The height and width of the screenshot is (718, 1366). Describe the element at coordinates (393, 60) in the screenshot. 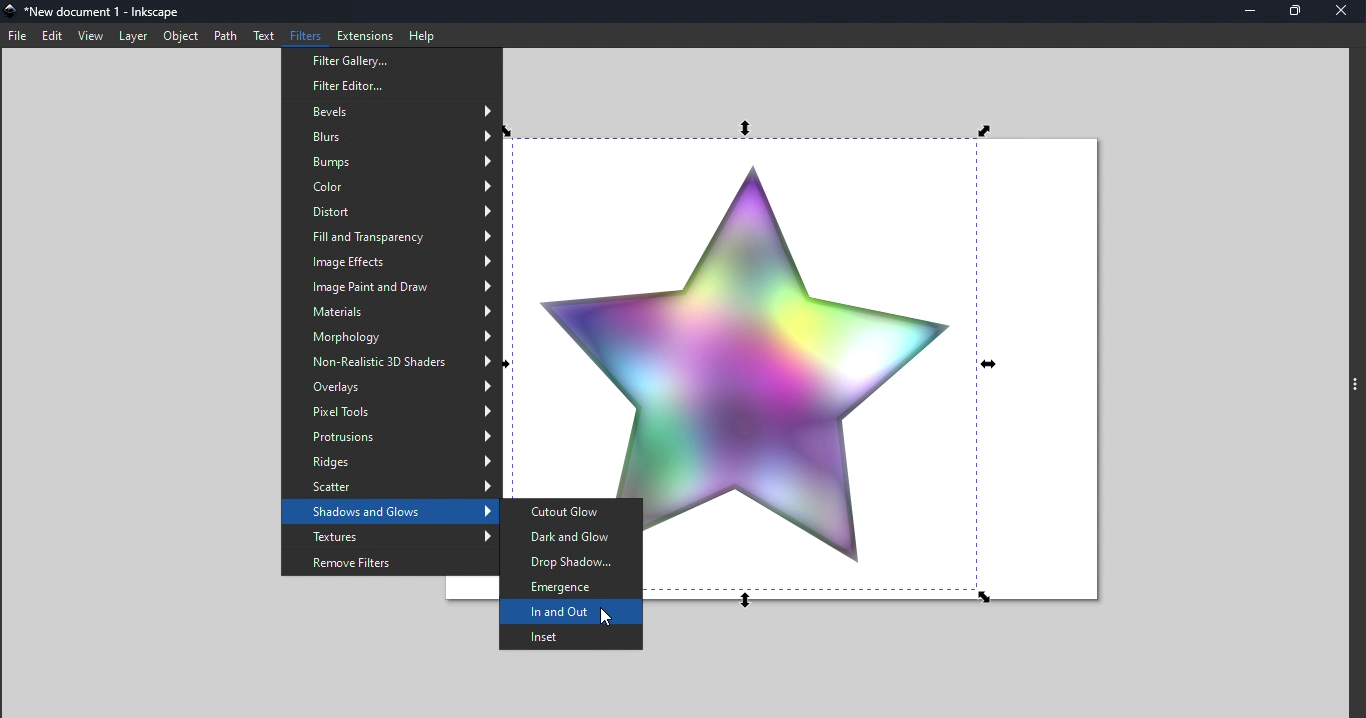

I see `Filters gallery` at that location.